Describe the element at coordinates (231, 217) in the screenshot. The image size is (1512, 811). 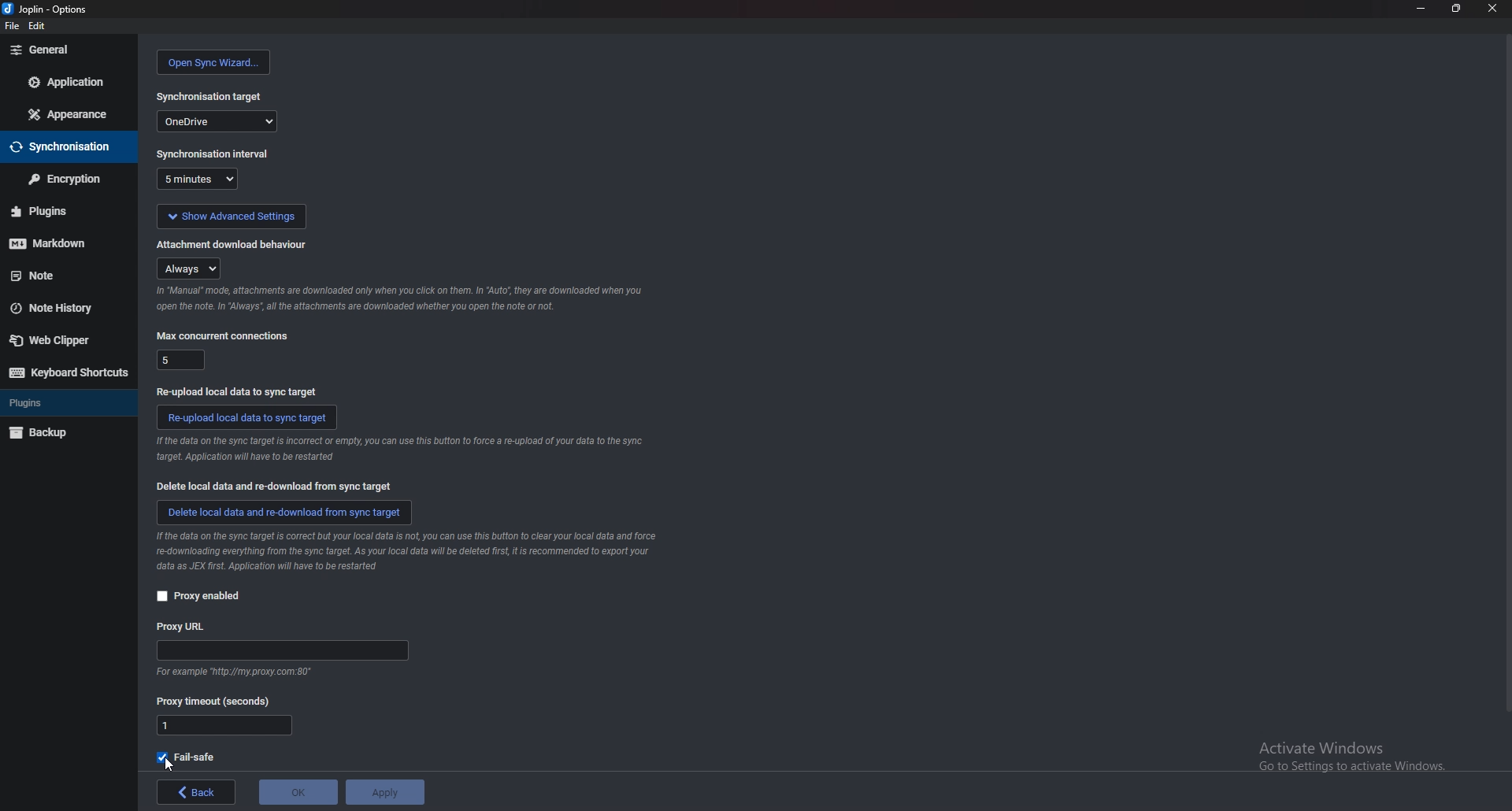
I see `show advanced settings` at that location.